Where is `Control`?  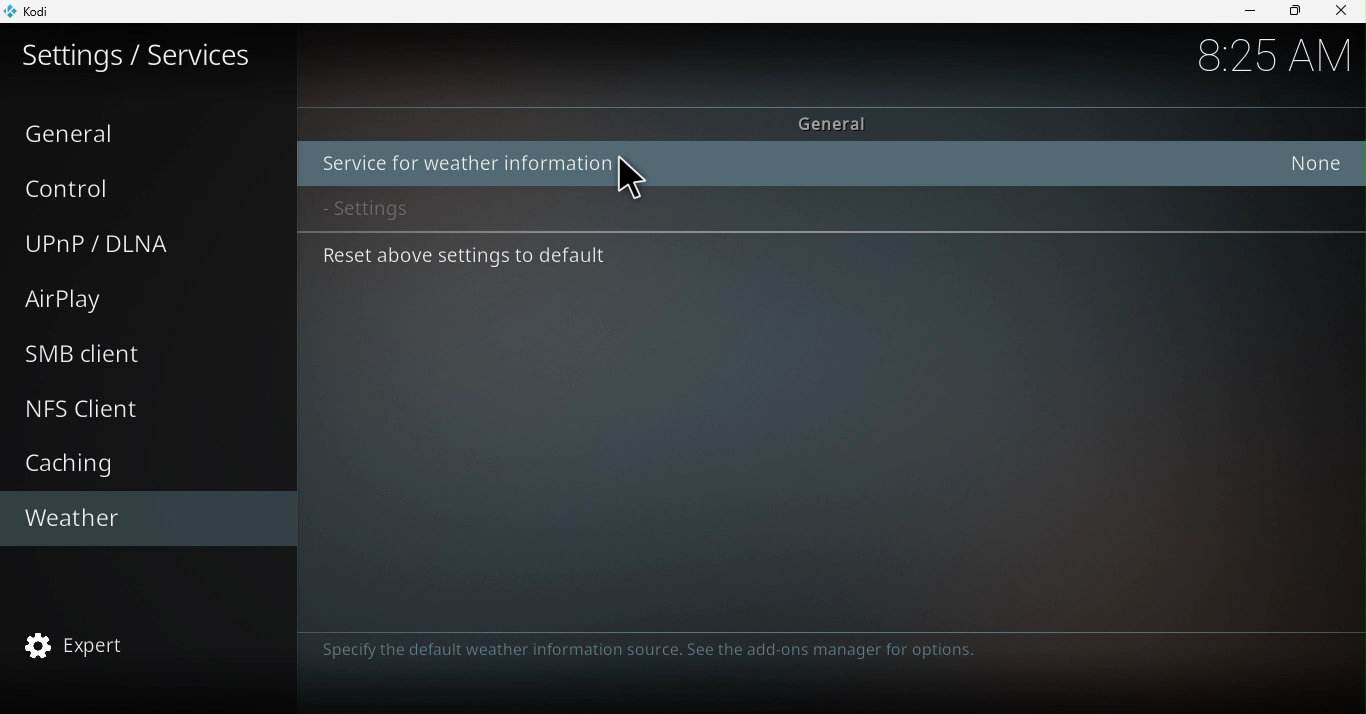
Control is located at coordinates (145, 189).